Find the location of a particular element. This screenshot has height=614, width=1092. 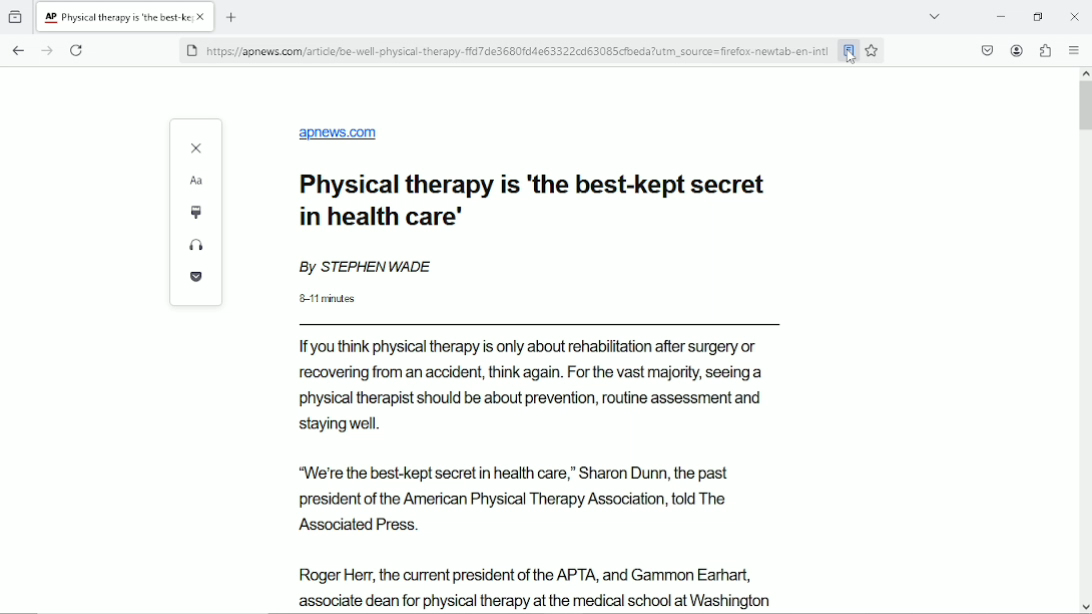

minimize is located at coordinates (1002, 15).